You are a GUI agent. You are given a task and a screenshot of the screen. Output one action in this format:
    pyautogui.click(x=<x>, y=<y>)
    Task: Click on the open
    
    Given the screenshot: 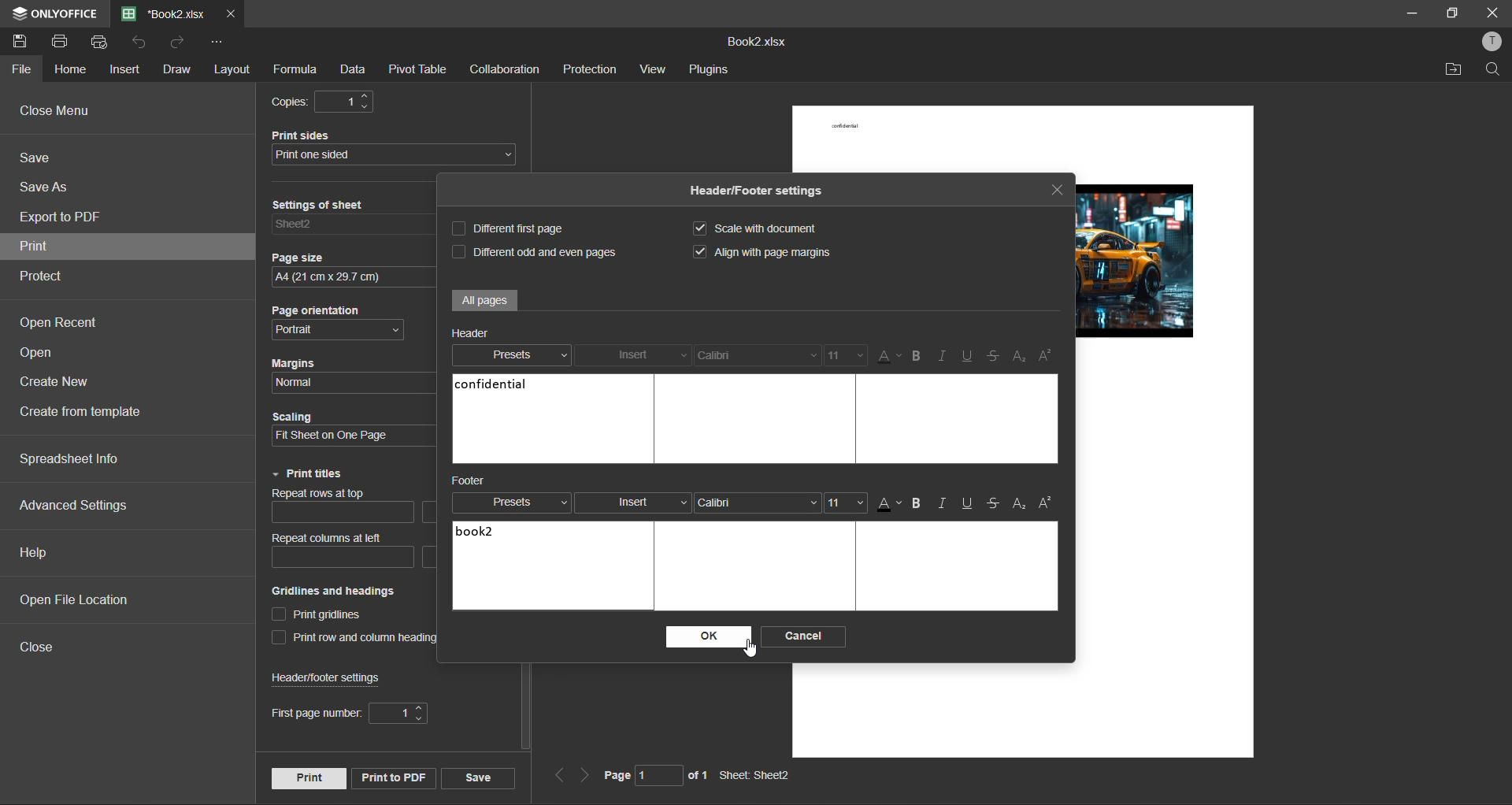 What is the action you would take?
    pyautogui.click(x=43, y=354)
    